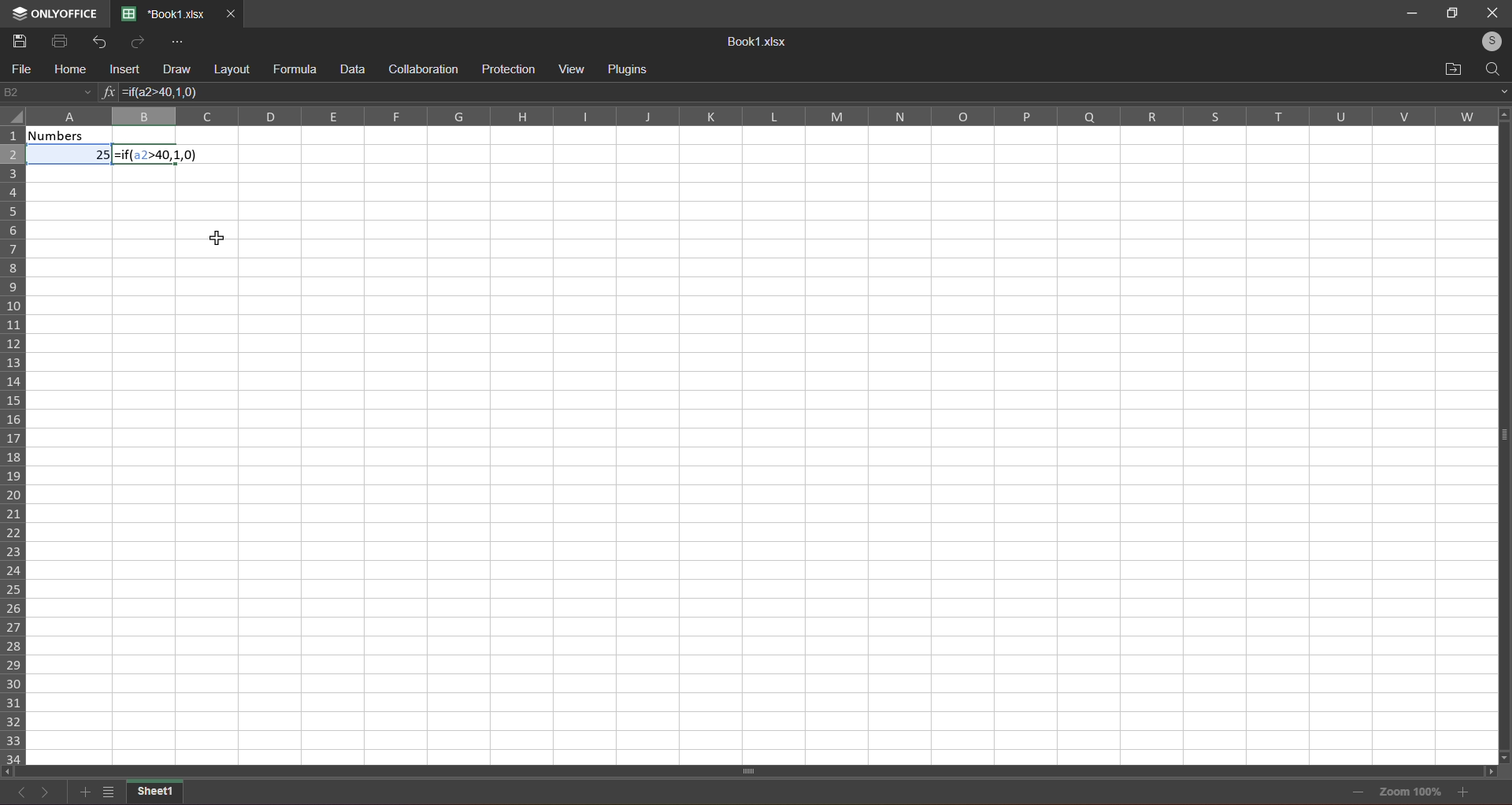  What do you see at coordinates (160, 155) in the screenshot?
I see `=if(a2>40,1,0)` at bounding box center [160, 155].